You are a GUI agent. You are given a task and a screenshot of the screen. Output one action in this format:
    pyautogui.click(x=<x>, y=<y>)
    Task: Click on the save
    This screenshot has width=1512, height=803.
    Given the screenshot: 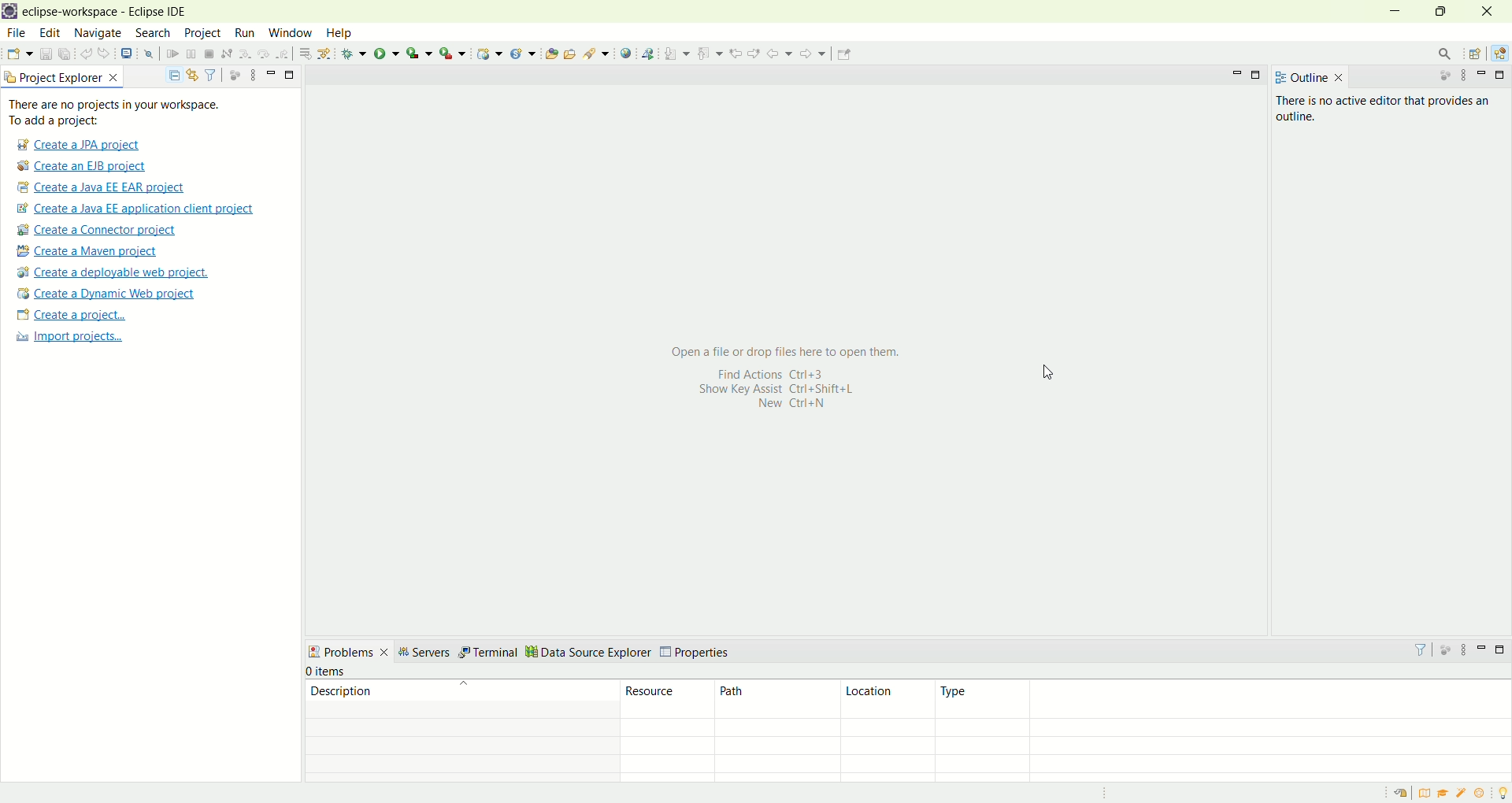 What is the action you would take?
    pyautogui.click(x=42, y=54)
    